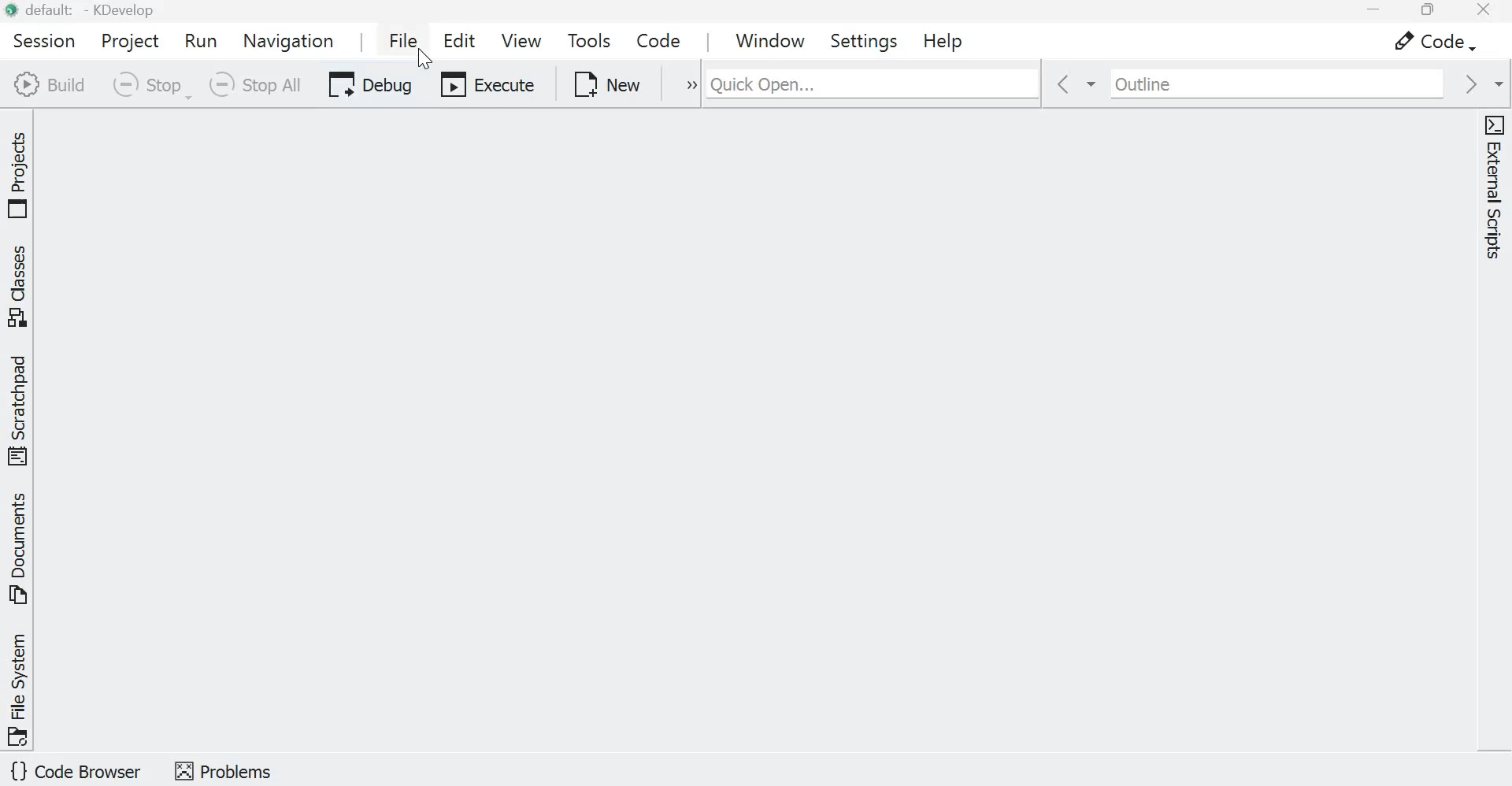 This screenshot has height=786, width=1512. I want to click on Toggle 'External scripts' tool view, so click(1493, 191).